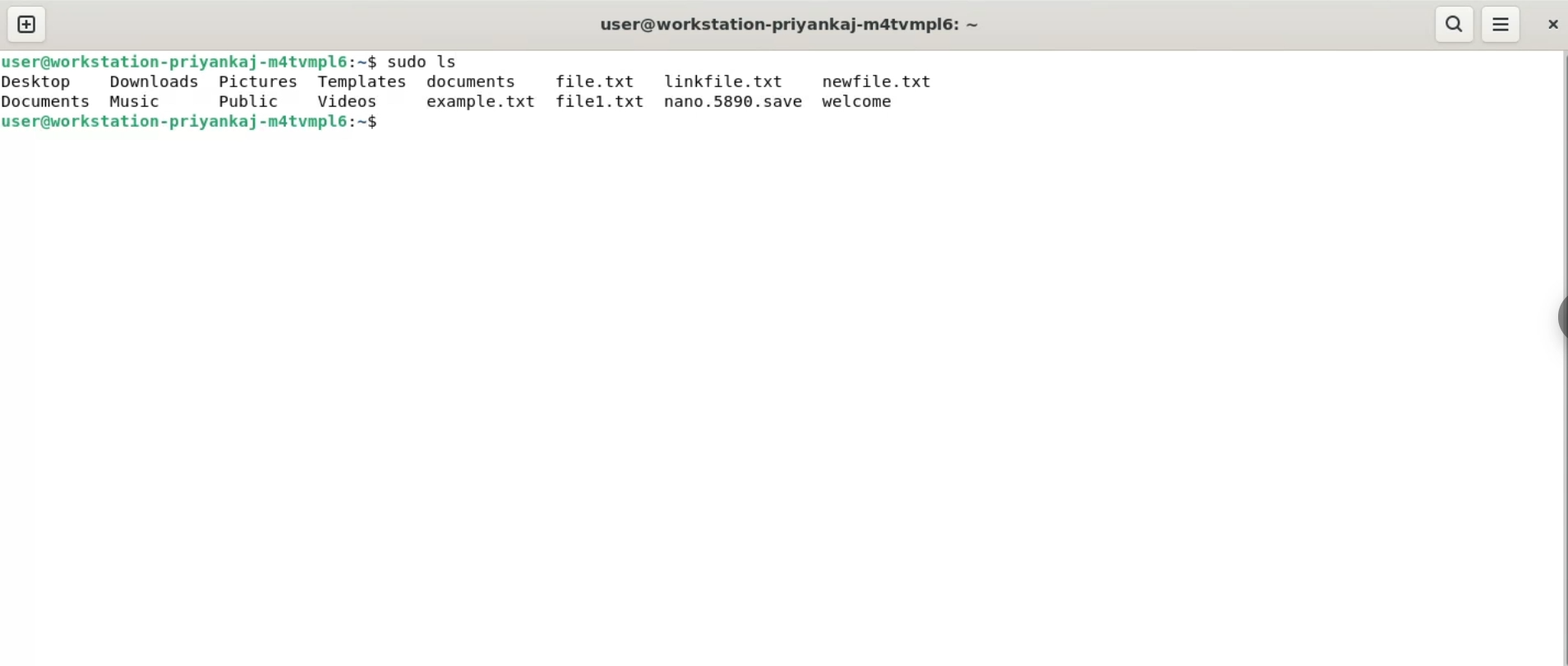 Image resolution: width=1568 pixels, height=666 pixels. Describe the element at coordinates (484, 104) in the screenshot. I see `example` at that location.